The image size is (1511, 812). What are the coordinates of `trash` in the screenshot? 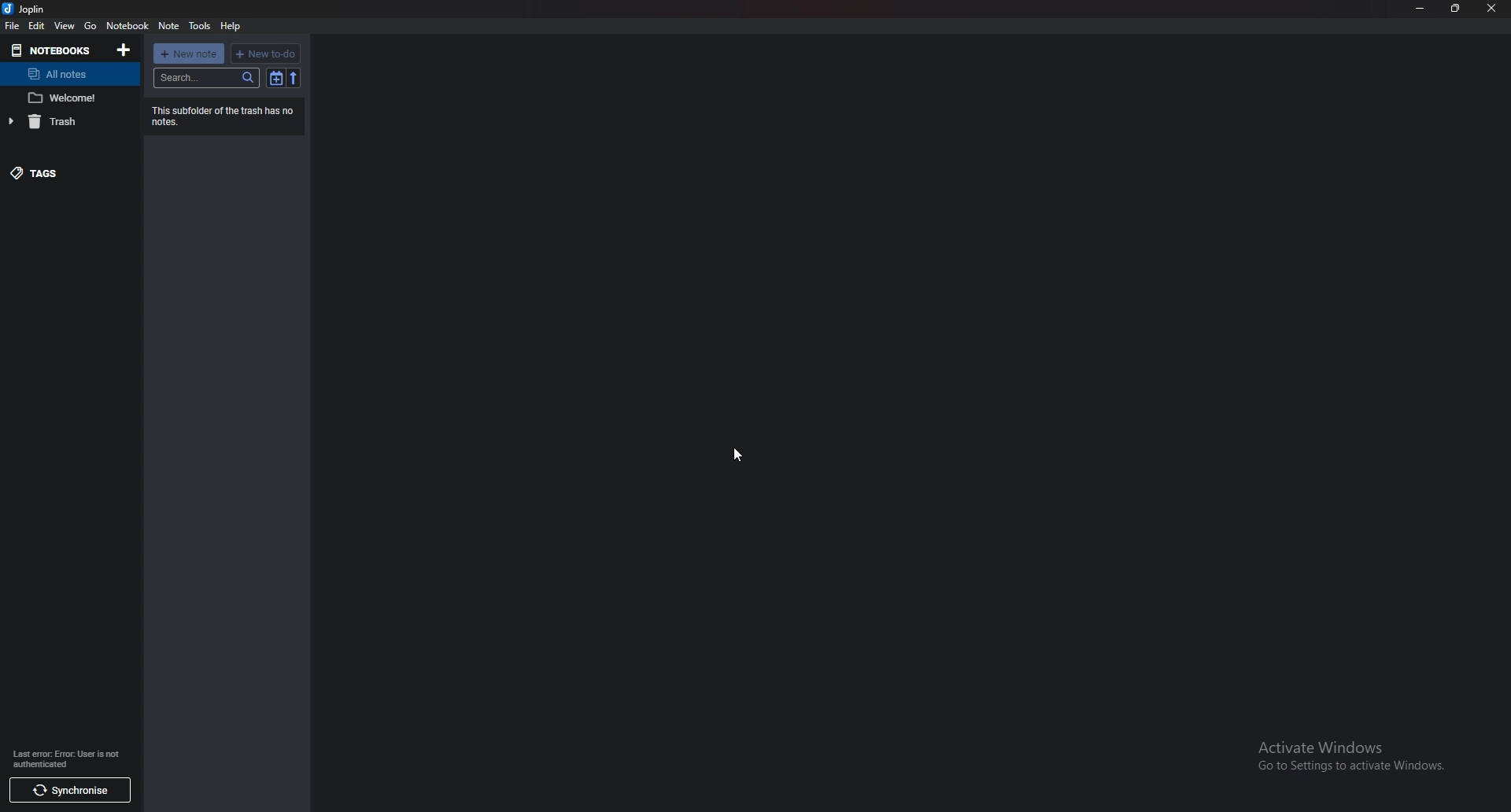 It's located at (63, 120).